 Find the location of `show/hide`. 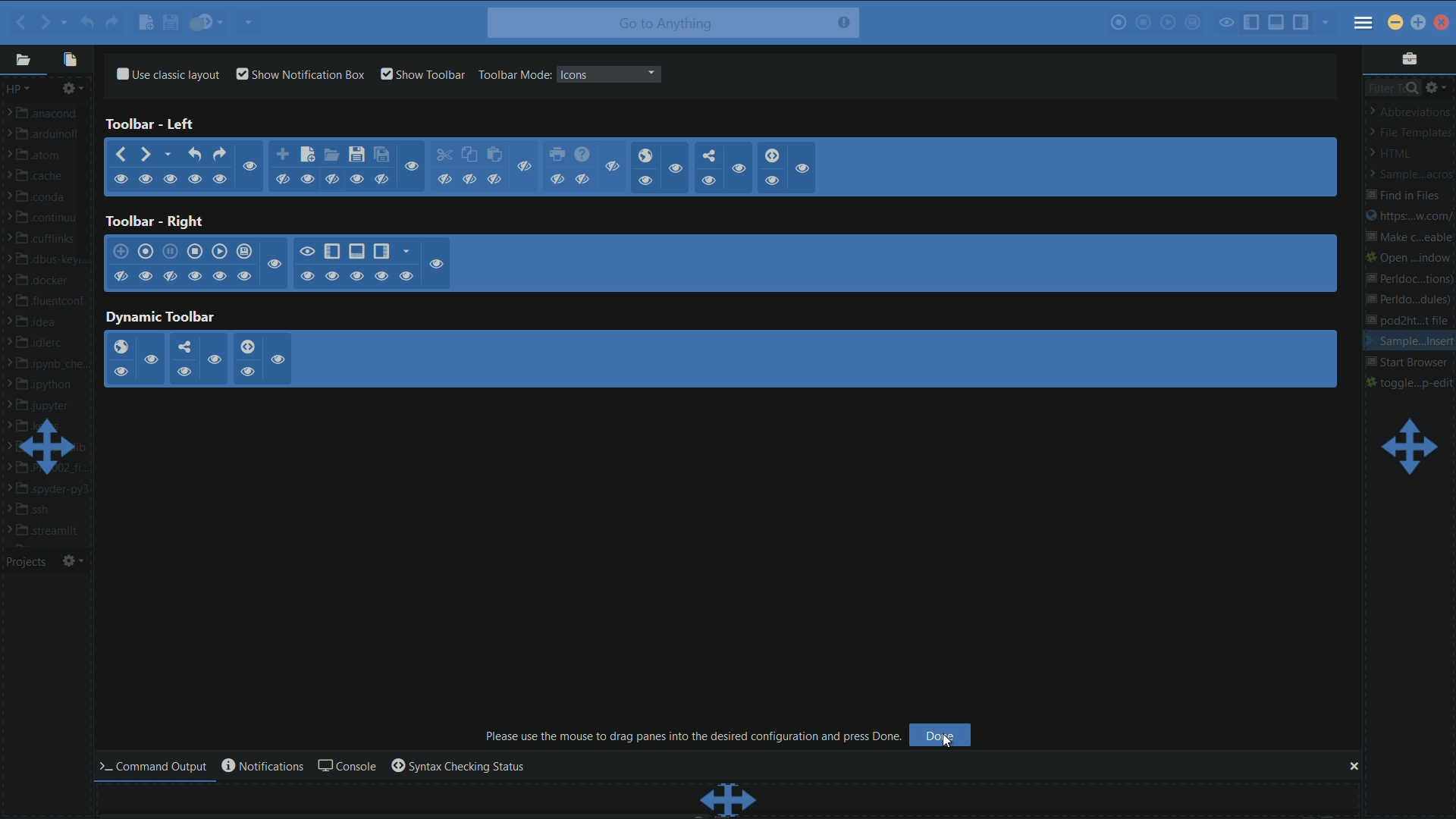

show/hide is located at coordinates (583, 179).